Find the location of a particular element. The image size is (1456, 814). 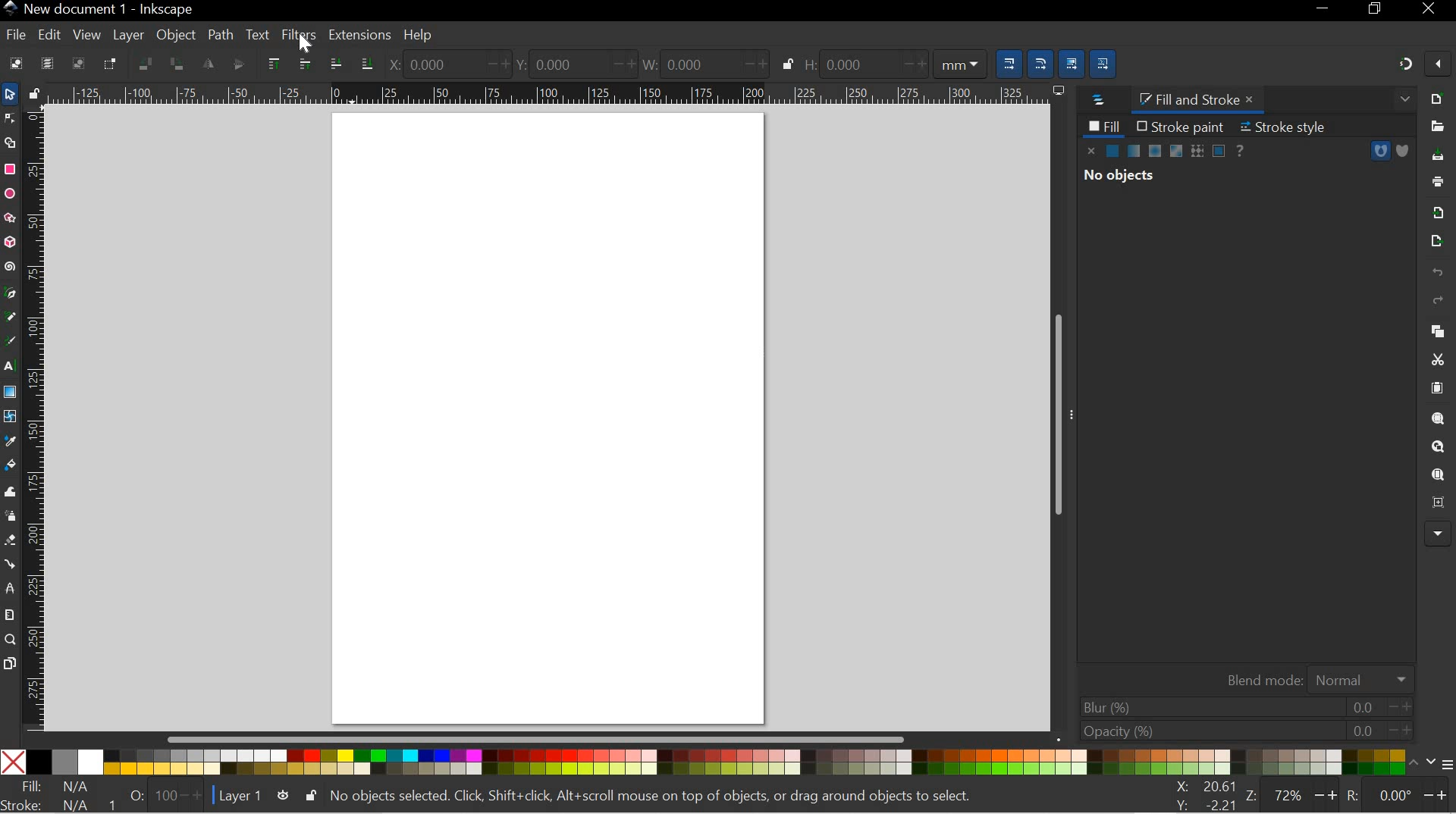

TOGGLE SELECTION BOX is located at coordinates (113, 64).